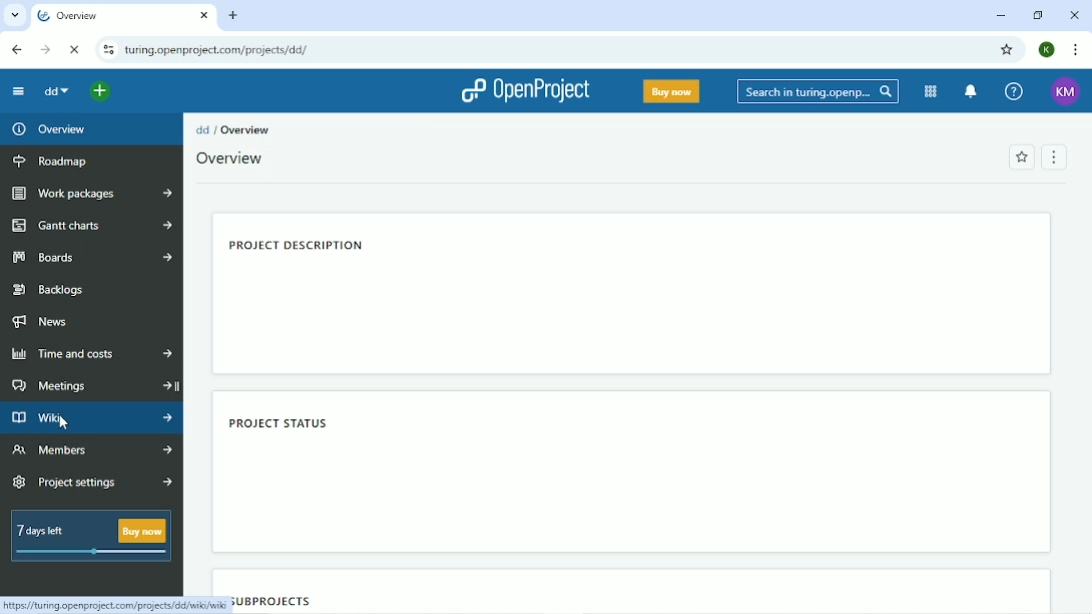 This screenshot has height=614, width=1092. Describe the element at coordinates (57, 163) in the screenshot. I see `Roadmap` at that location.